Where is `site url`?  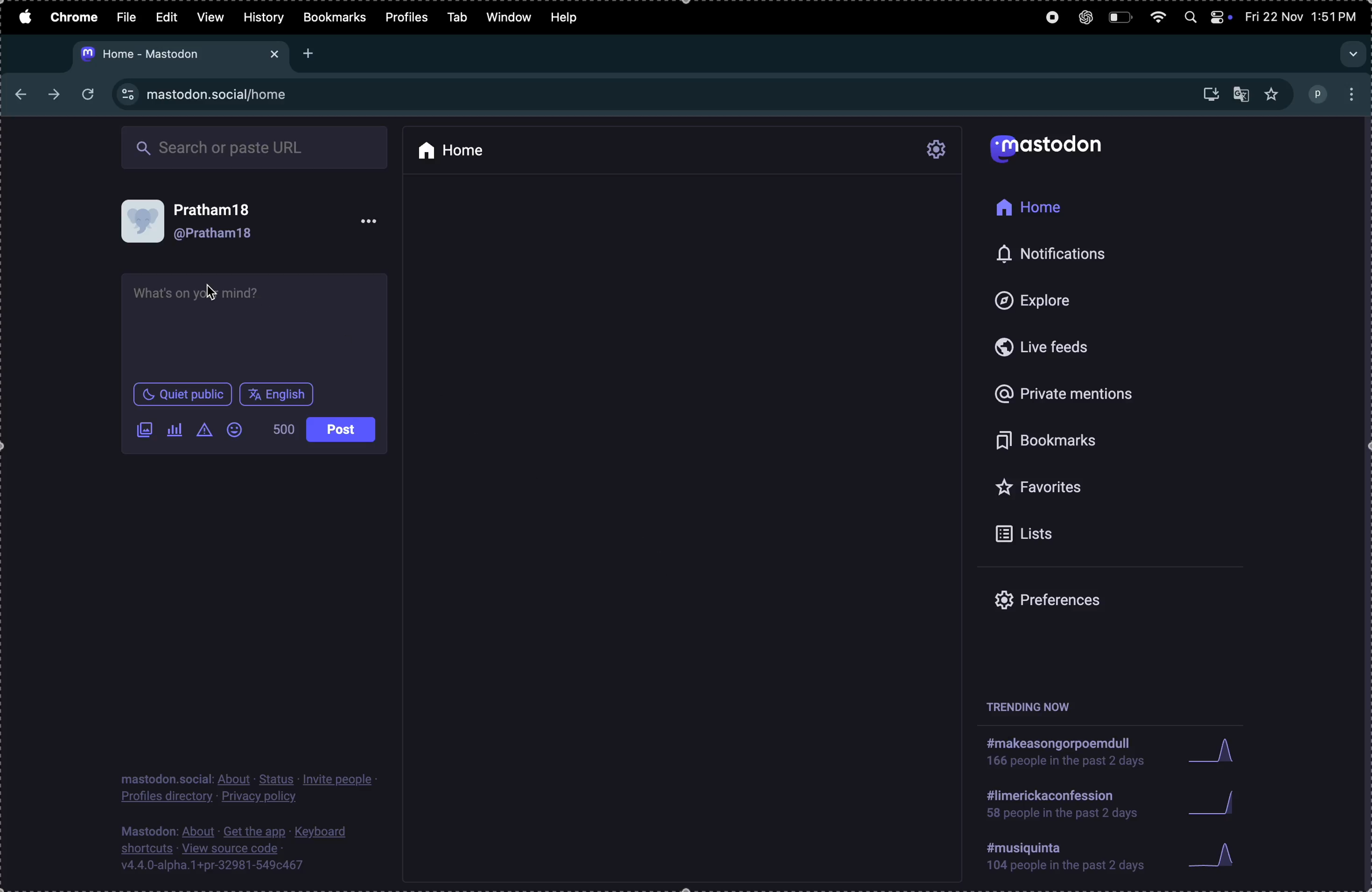
site url is located at coordinates (244, 93).